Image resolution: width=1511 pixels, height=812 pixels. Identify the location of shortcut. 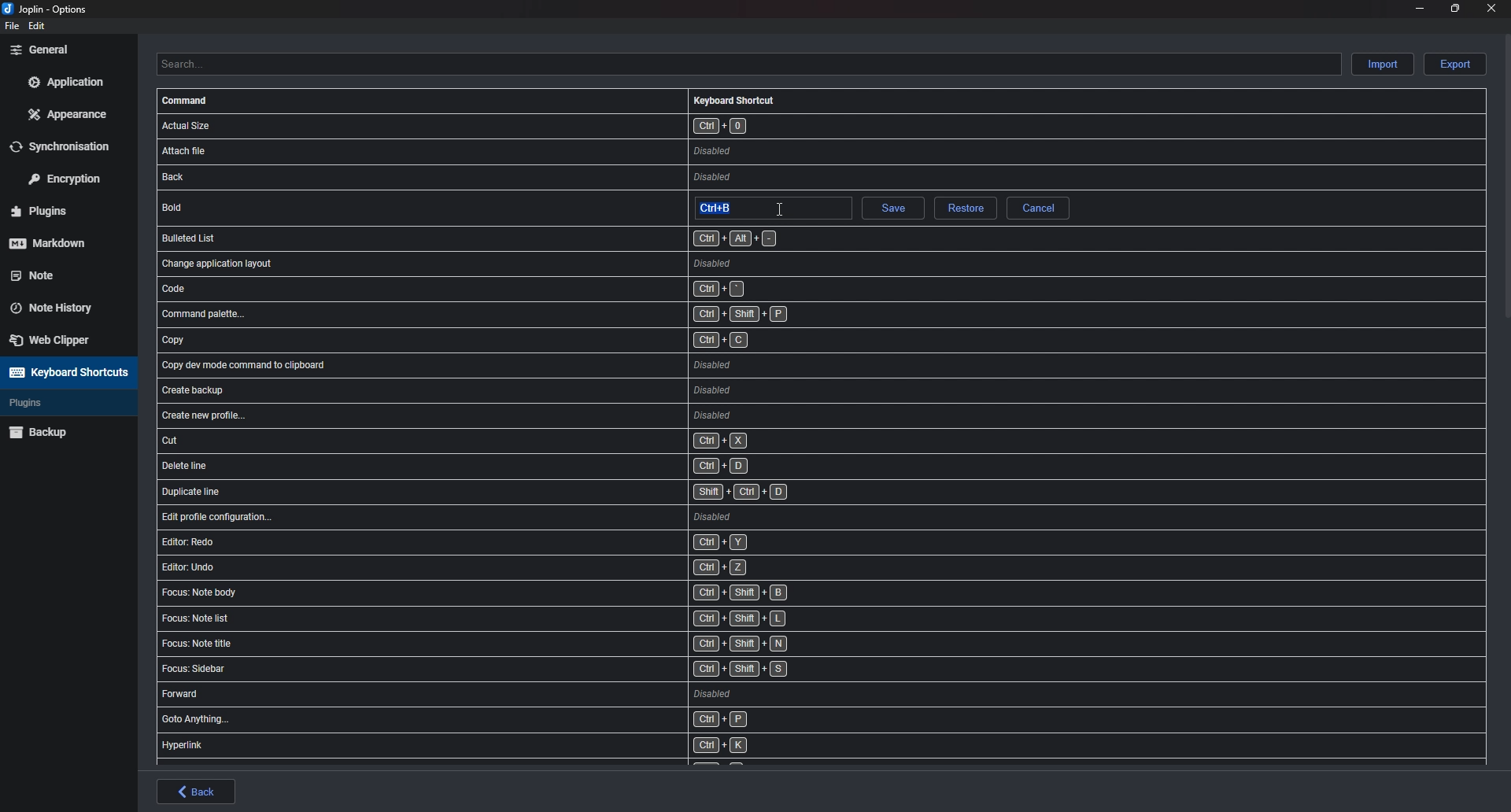
(539, 416).